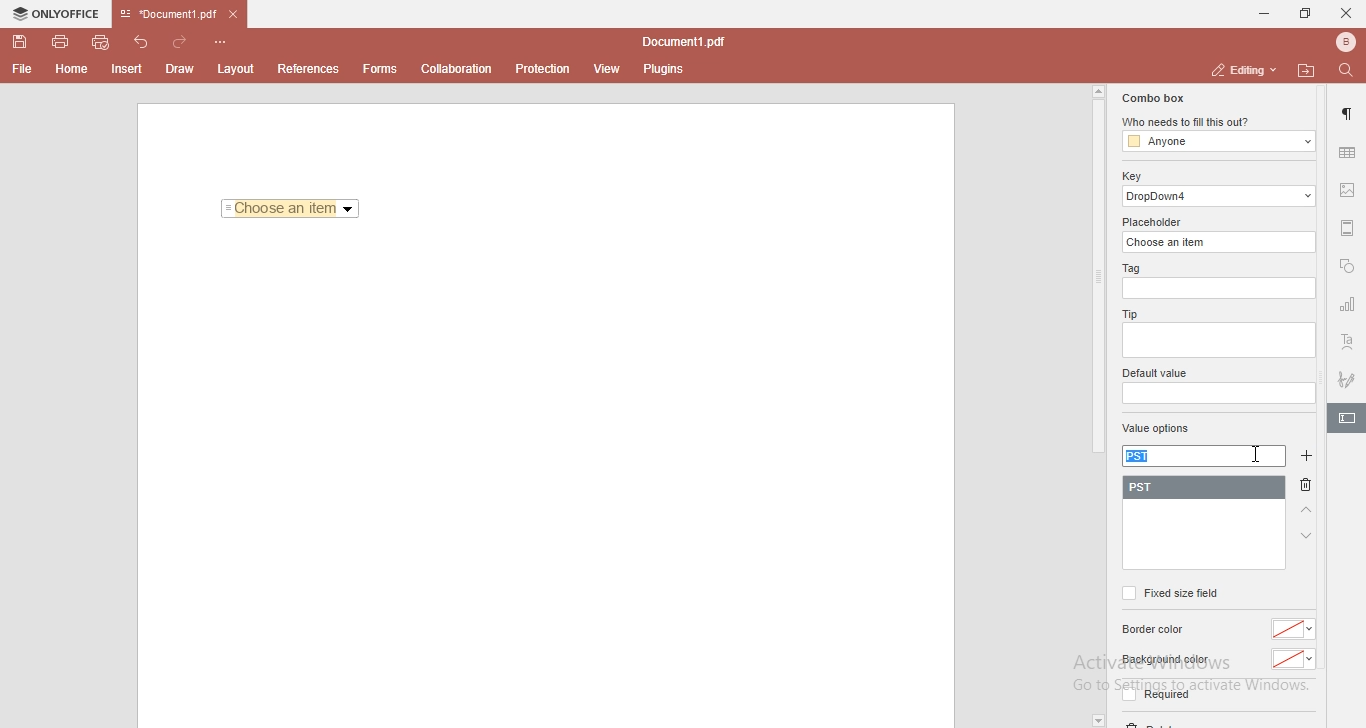 This screenshot has width=1366, height=728. Describe the element at coordinates (1208, 488) in the screenshot. I see `PST added` at that location.